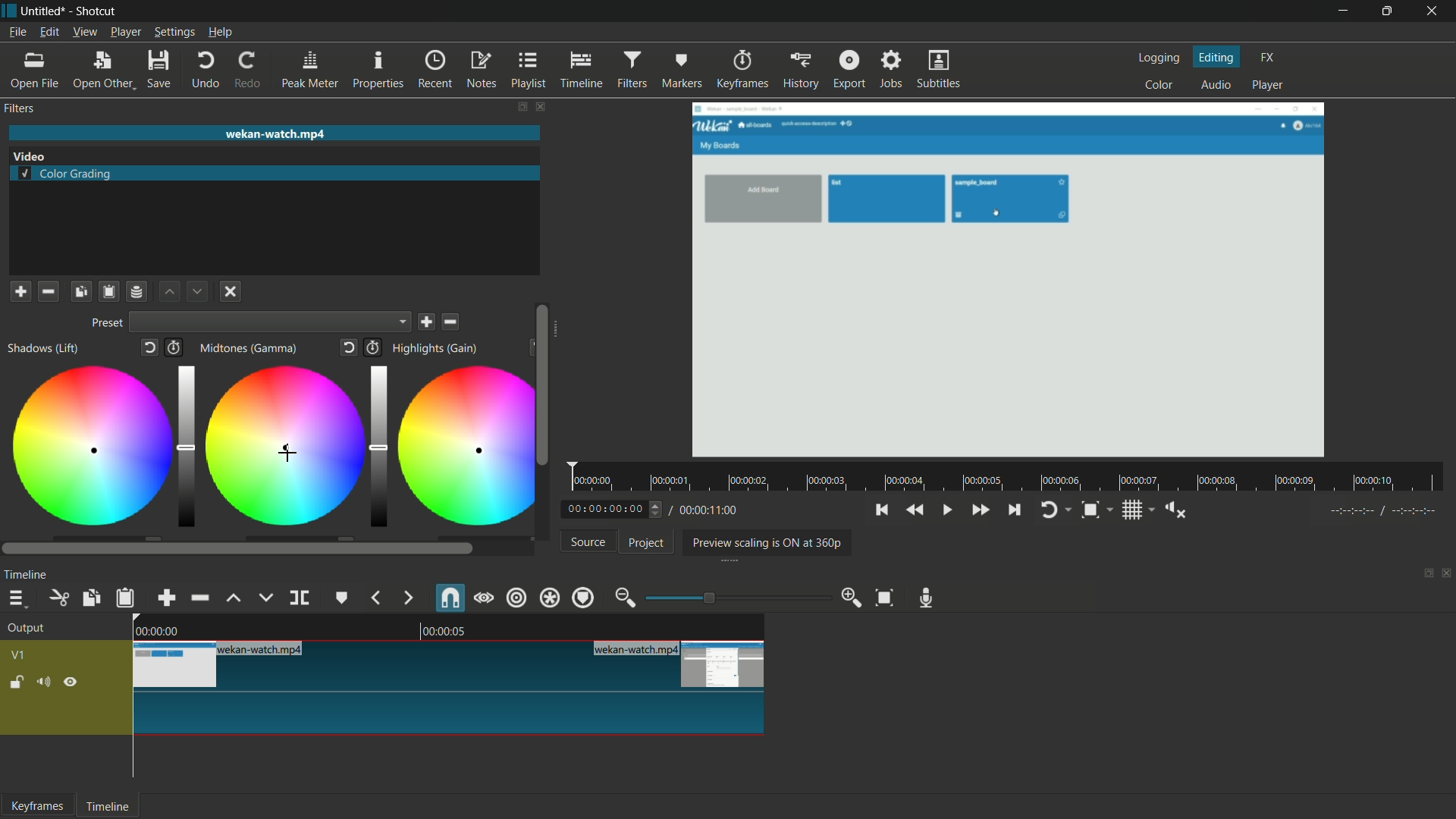 The width and height of the screenshot is (1456, 819). Describe the element at coordinates (48, 683) in the screenshot. I see `mute` at that location.